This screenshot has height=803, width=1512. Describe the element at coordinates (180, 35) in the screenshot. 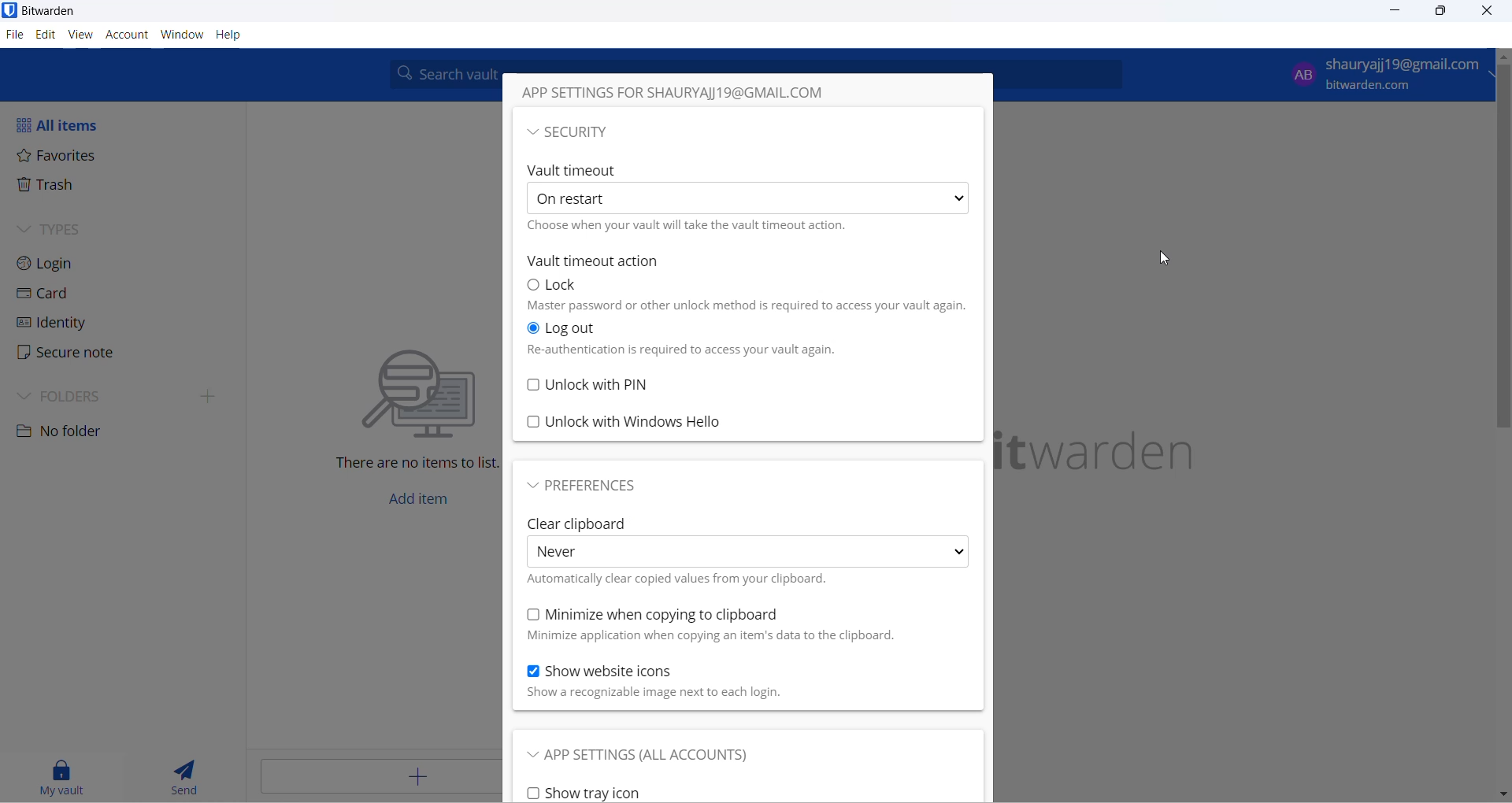

I see `window` at that location.